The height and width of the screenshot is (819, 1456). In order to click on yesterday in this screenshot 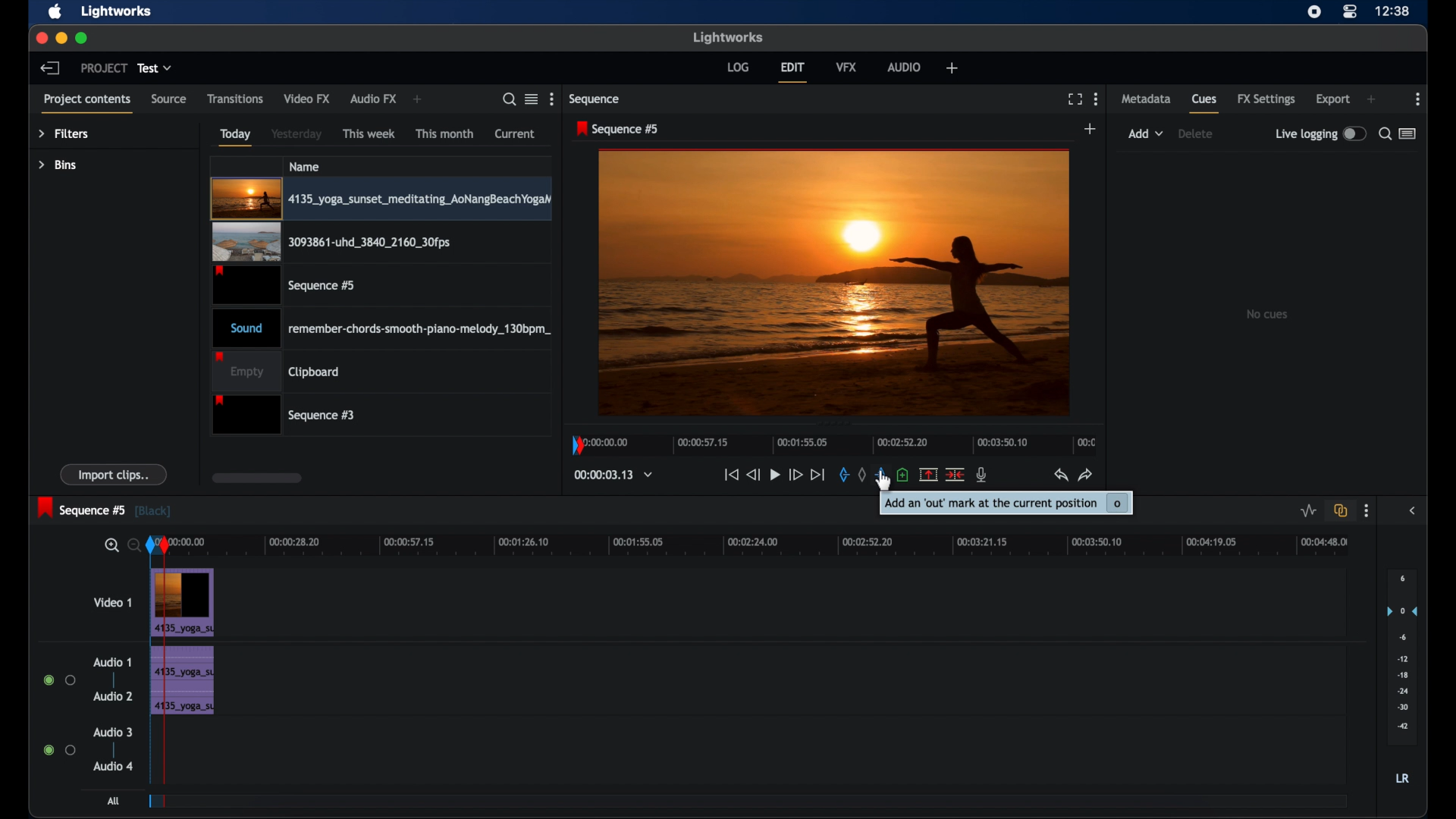, I will do `click(297, 133)`.